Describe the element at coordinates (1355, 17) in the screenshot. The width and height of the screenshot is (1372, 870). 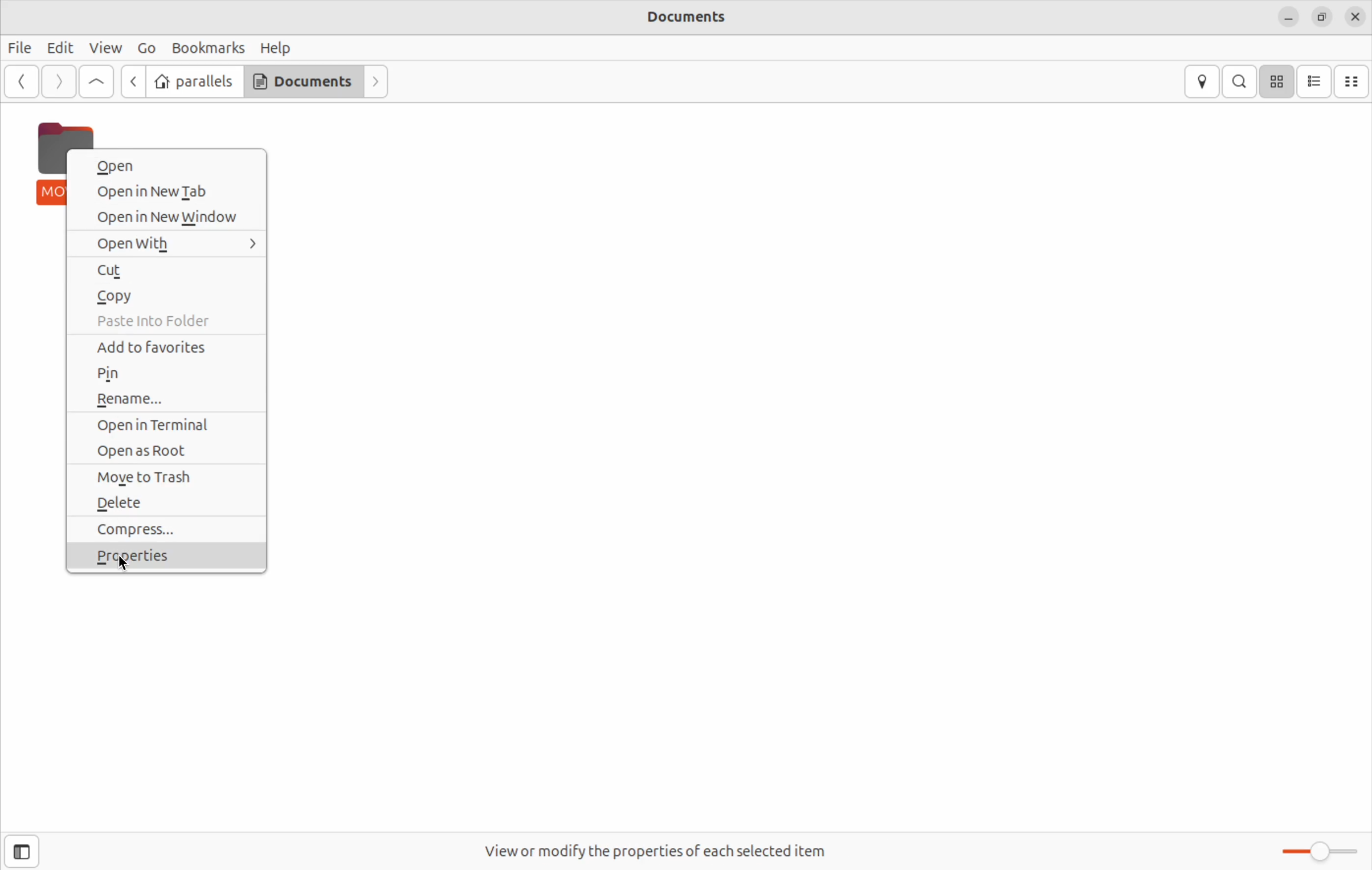
I see `close` at that location.